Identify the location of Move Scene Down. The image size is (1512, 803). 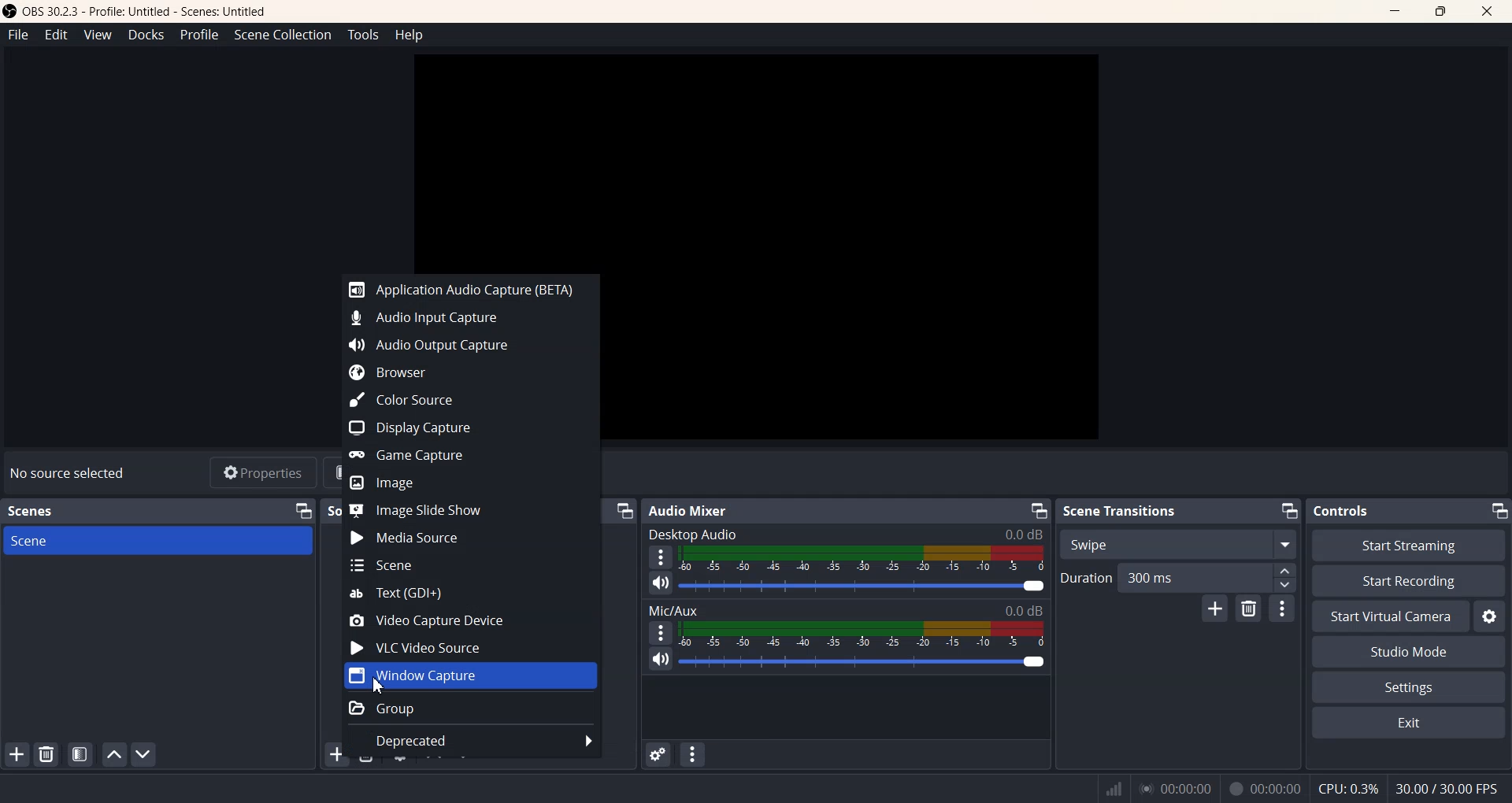
(143, 753).